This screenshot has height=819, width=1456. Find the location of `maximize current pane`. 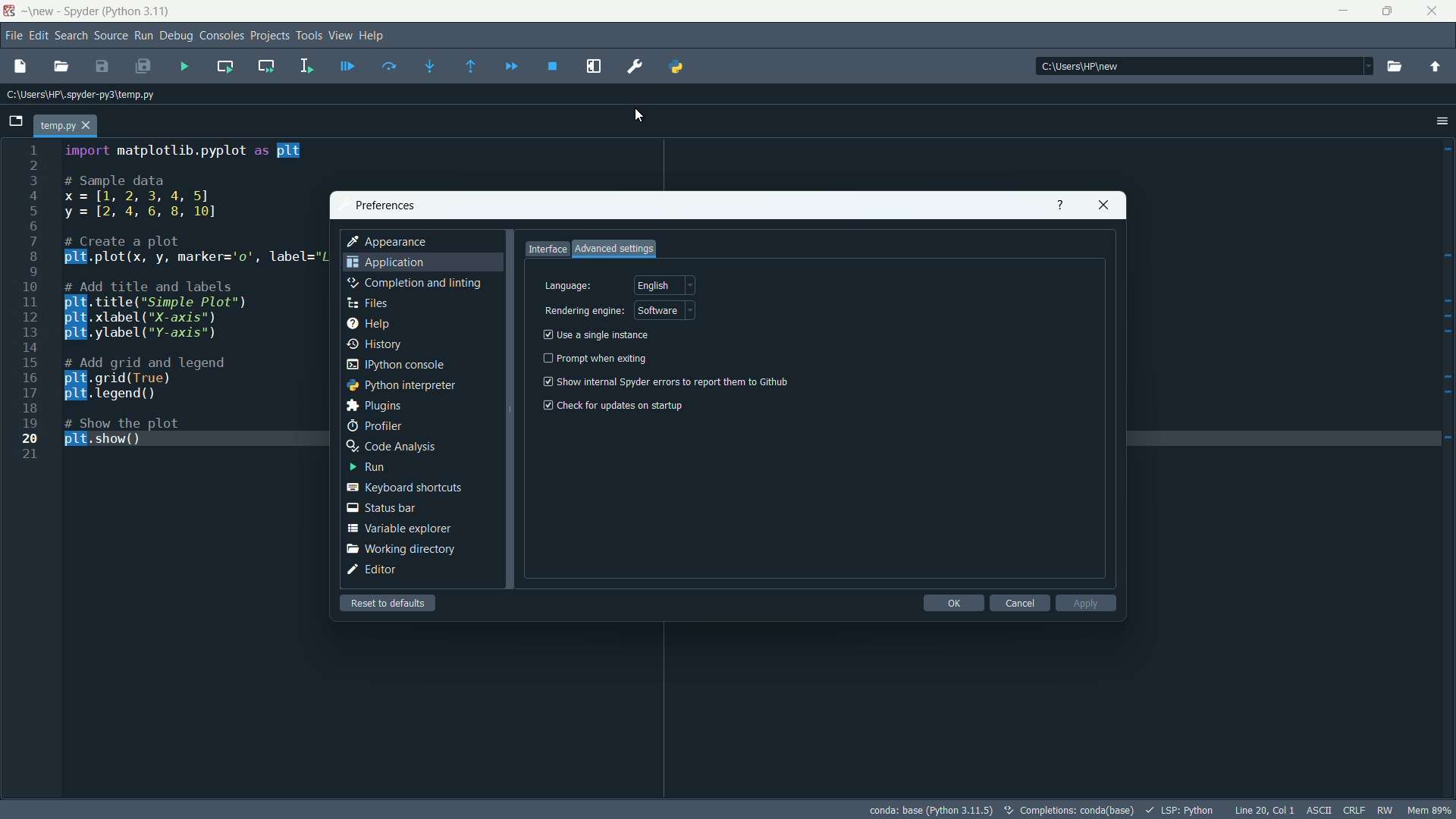

maximize current pane is located at coordinates (593, 66).